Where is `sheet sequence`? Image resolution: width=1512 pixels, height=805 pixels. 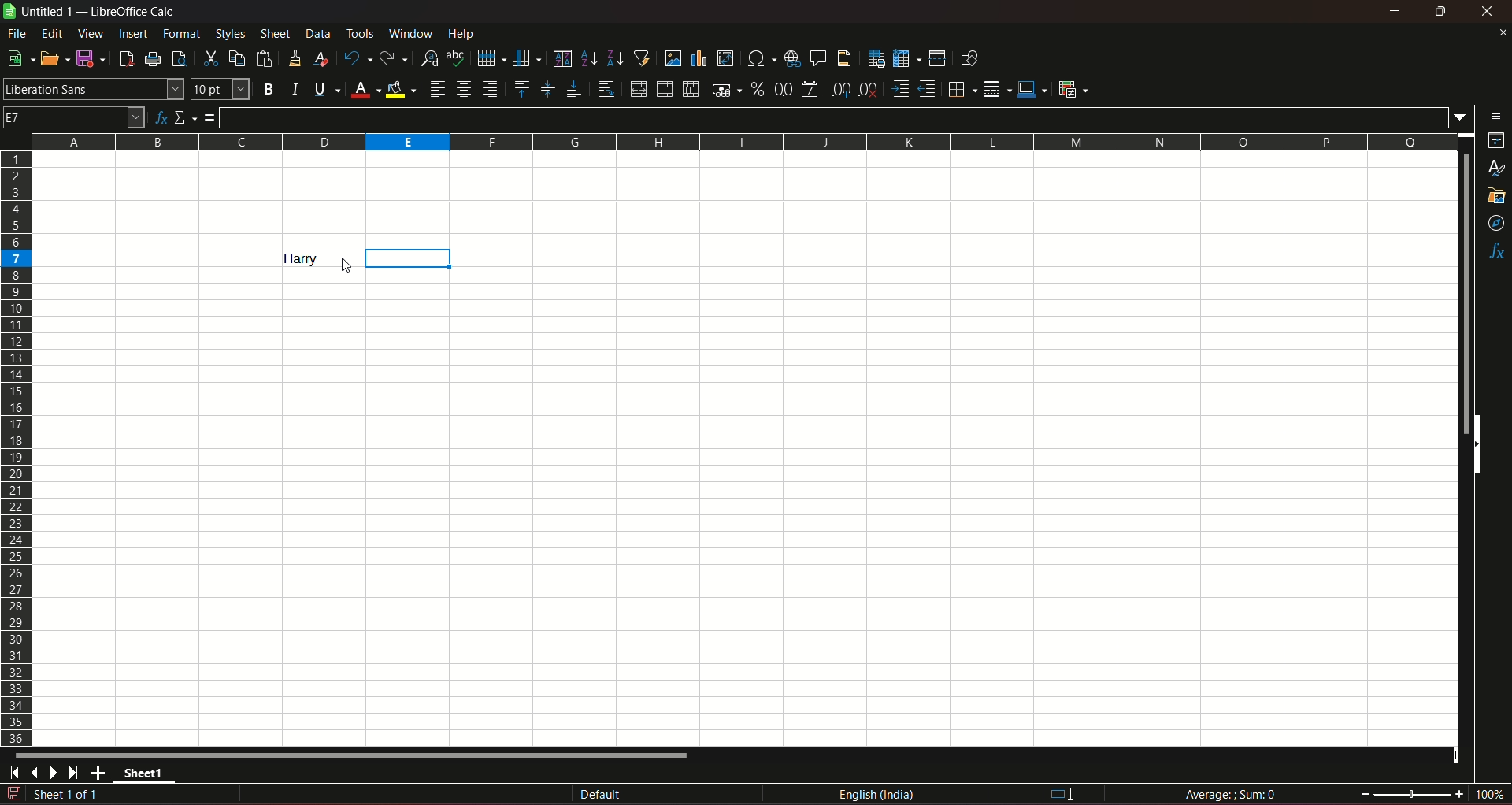
sheet sequence is located at coordinates (67, 796).